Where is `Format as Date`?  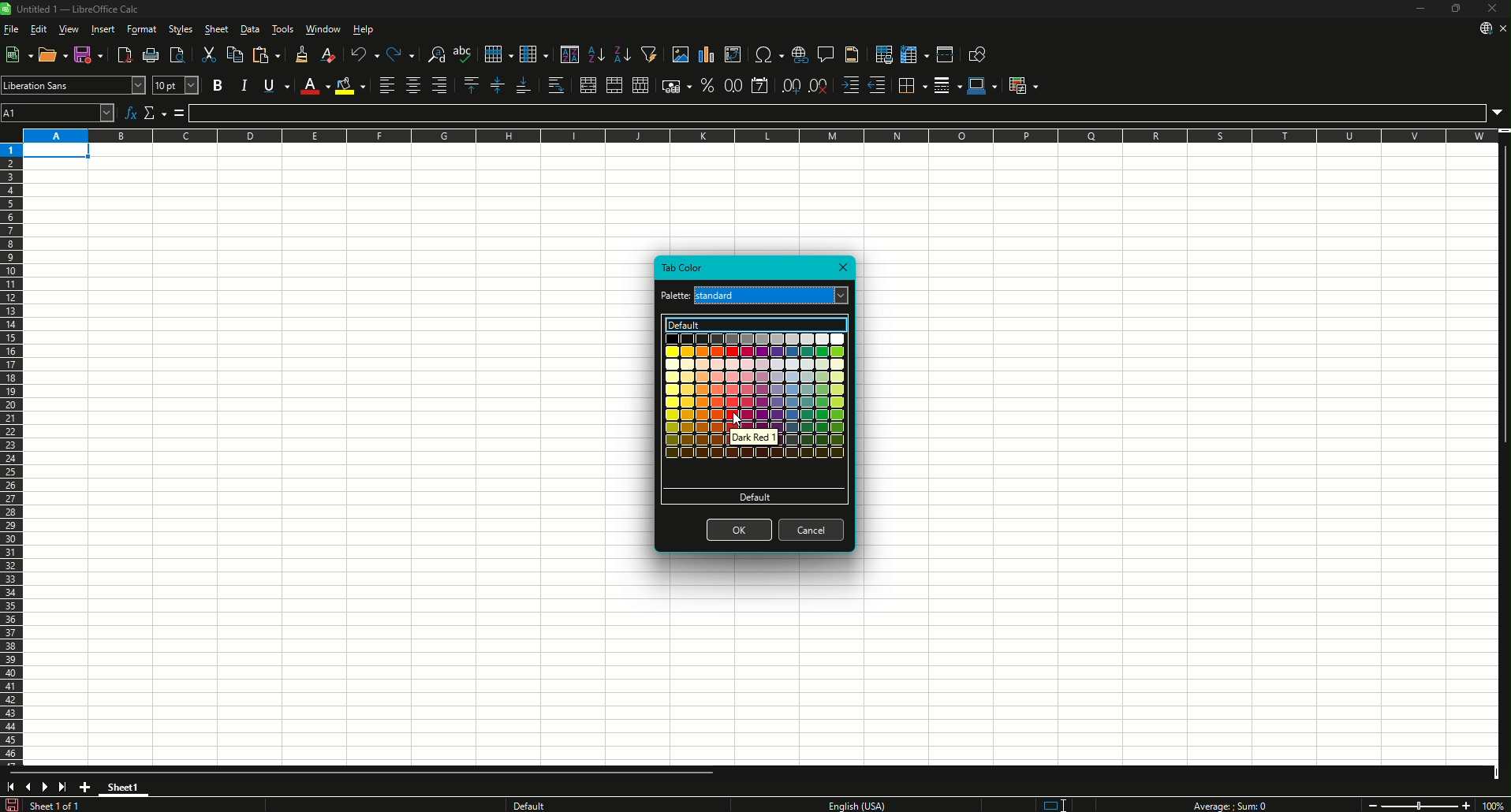
Format as Date is located at coordinates (760, 85).